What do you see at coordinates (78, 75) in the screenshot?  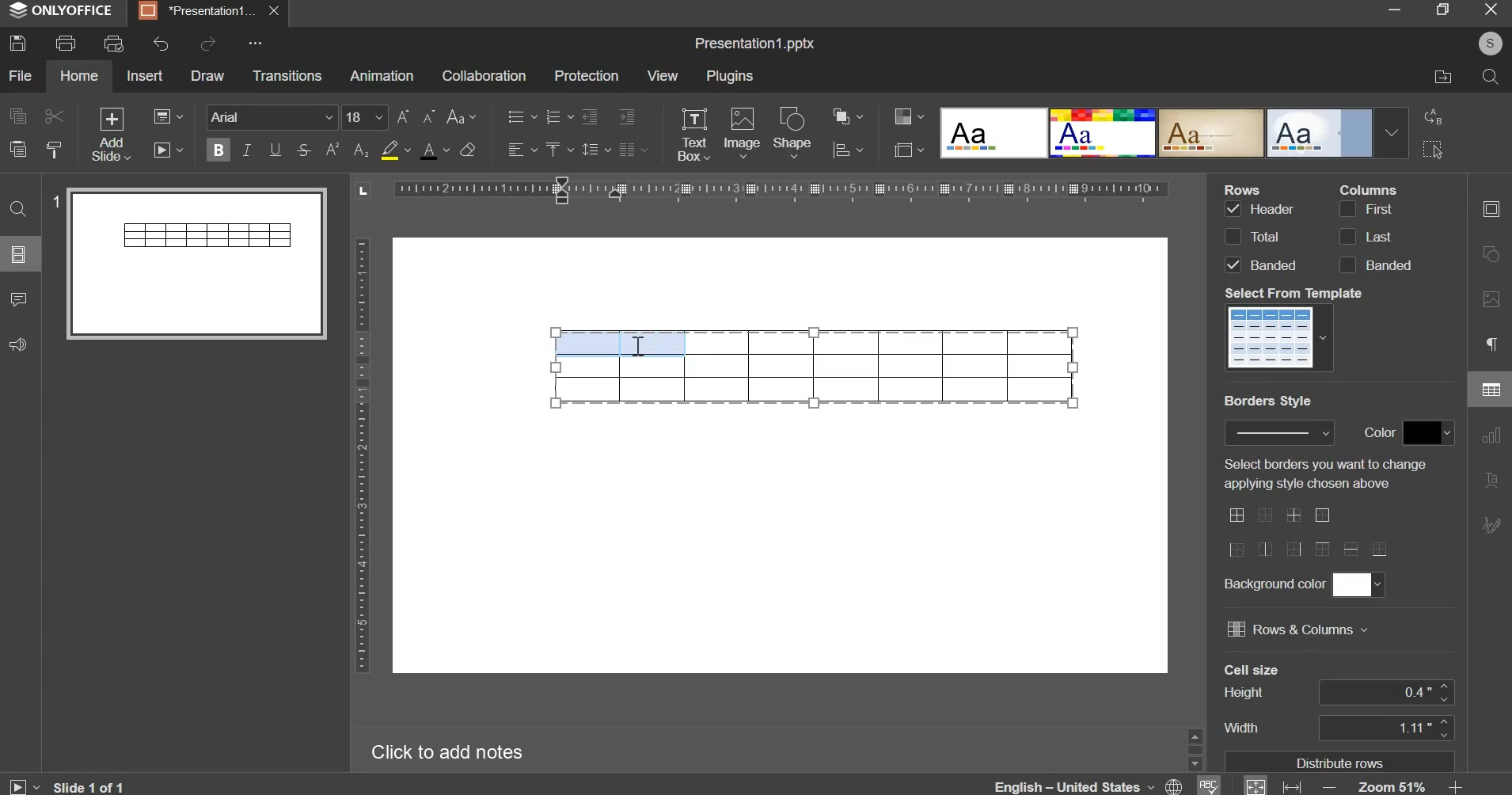 I see `home` at bounding box center [78, 75].